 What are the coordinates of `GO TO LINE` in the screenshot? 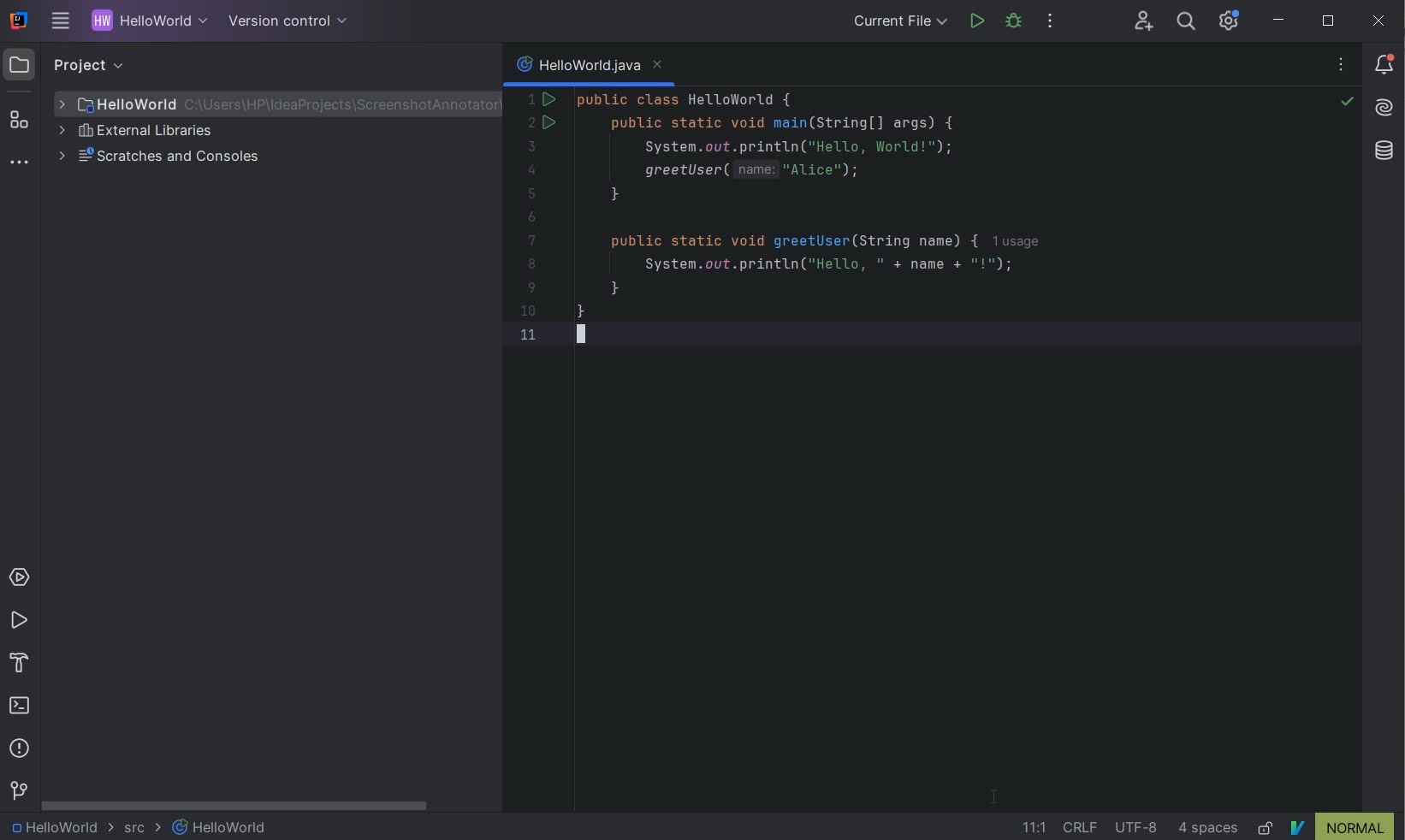 It's located at (1030, 828).